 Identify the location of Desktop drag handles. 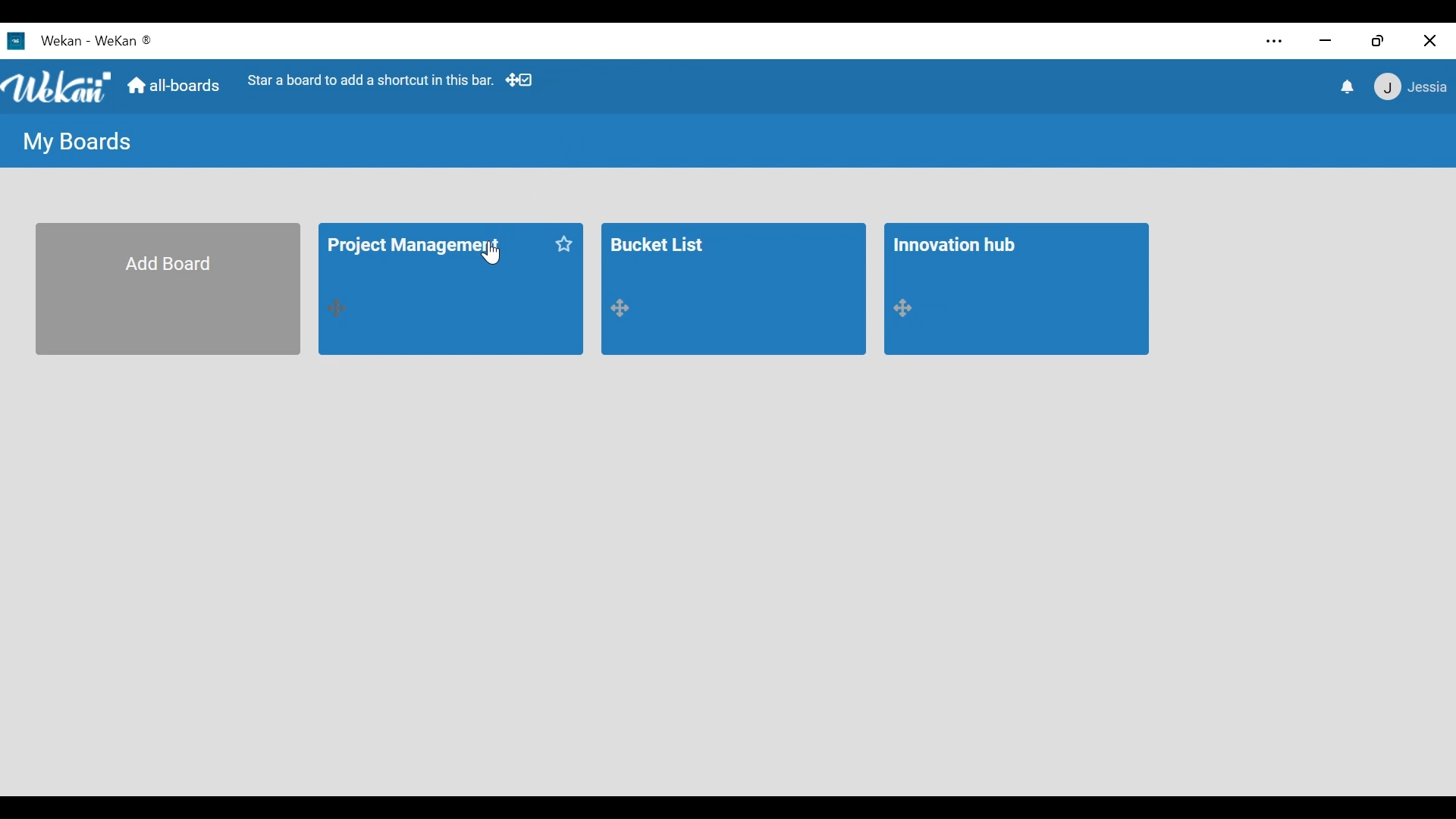
(908, 309).